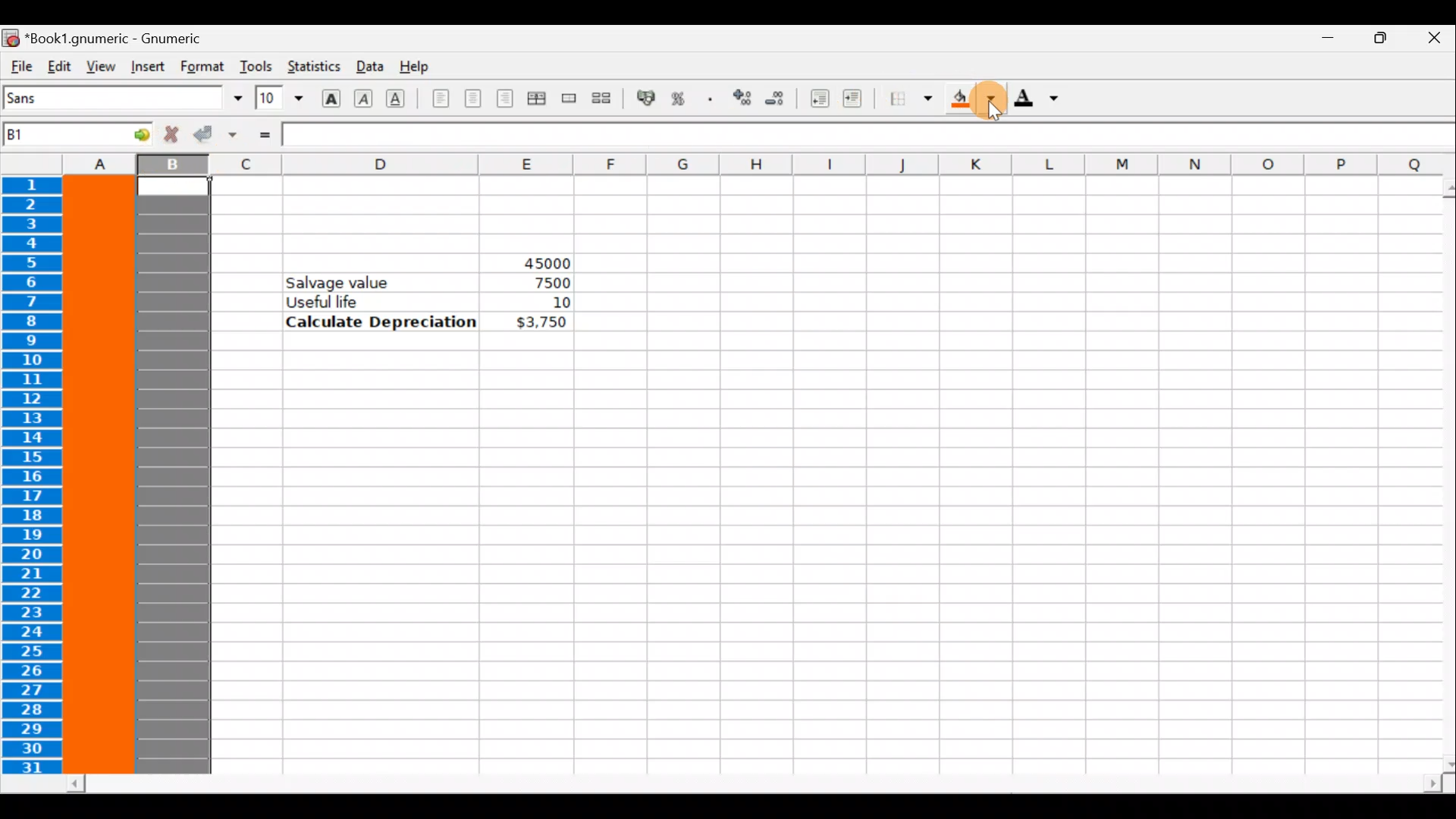 The height and width of the screenshot is (819, 1456). What do you see at coordinates (602, 97) in the screenshot?
I see `Split merged range of cells` at bounding box center [602, 97].